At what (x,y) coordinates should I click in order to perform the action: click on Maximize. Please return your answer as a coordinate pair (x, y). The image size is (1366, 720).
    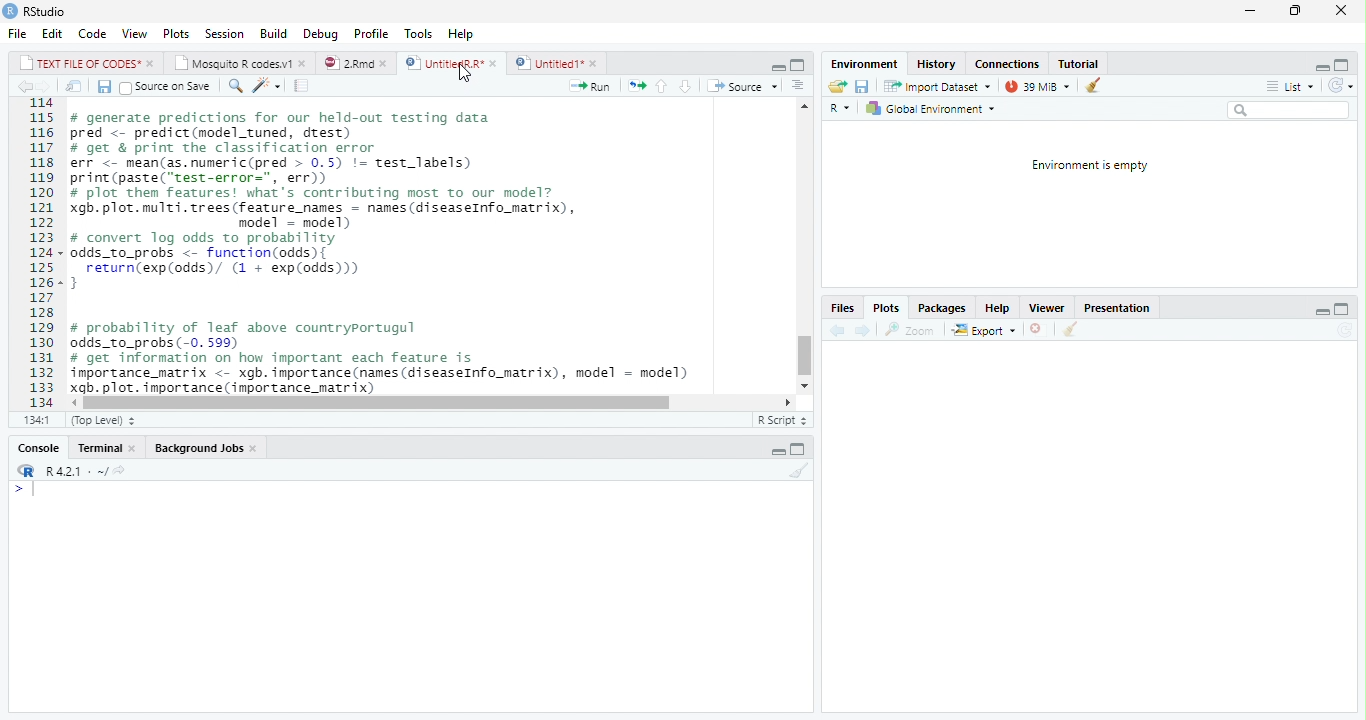
    Looking at the image, I should click on (801, 447).